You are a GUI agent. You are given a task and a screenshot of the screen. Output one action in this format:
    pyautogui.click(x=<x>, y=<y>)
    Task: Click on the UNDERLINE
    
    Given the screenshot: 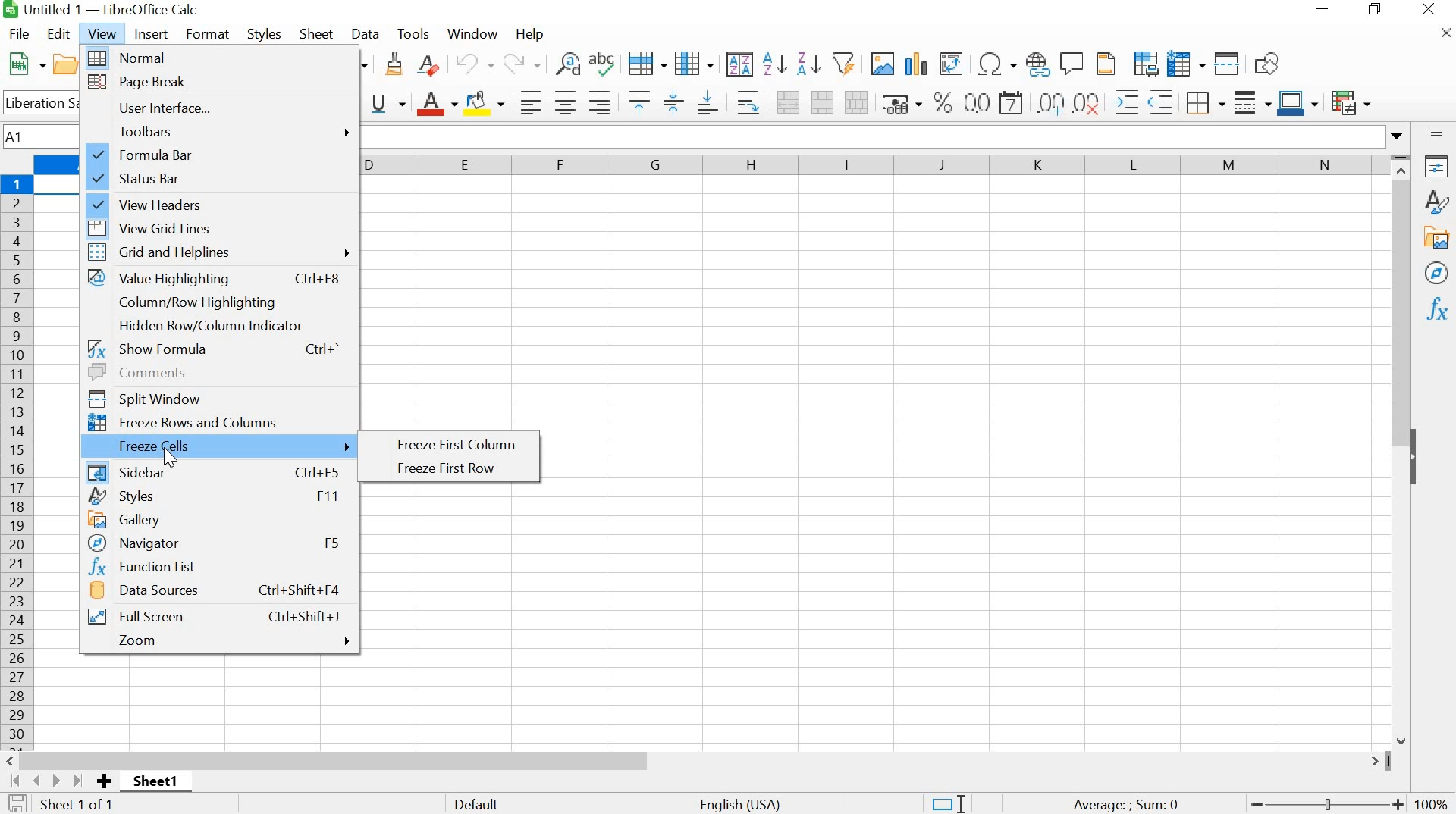 What is the action you would take?
    pyautogui.click(x=388, y=103)
    